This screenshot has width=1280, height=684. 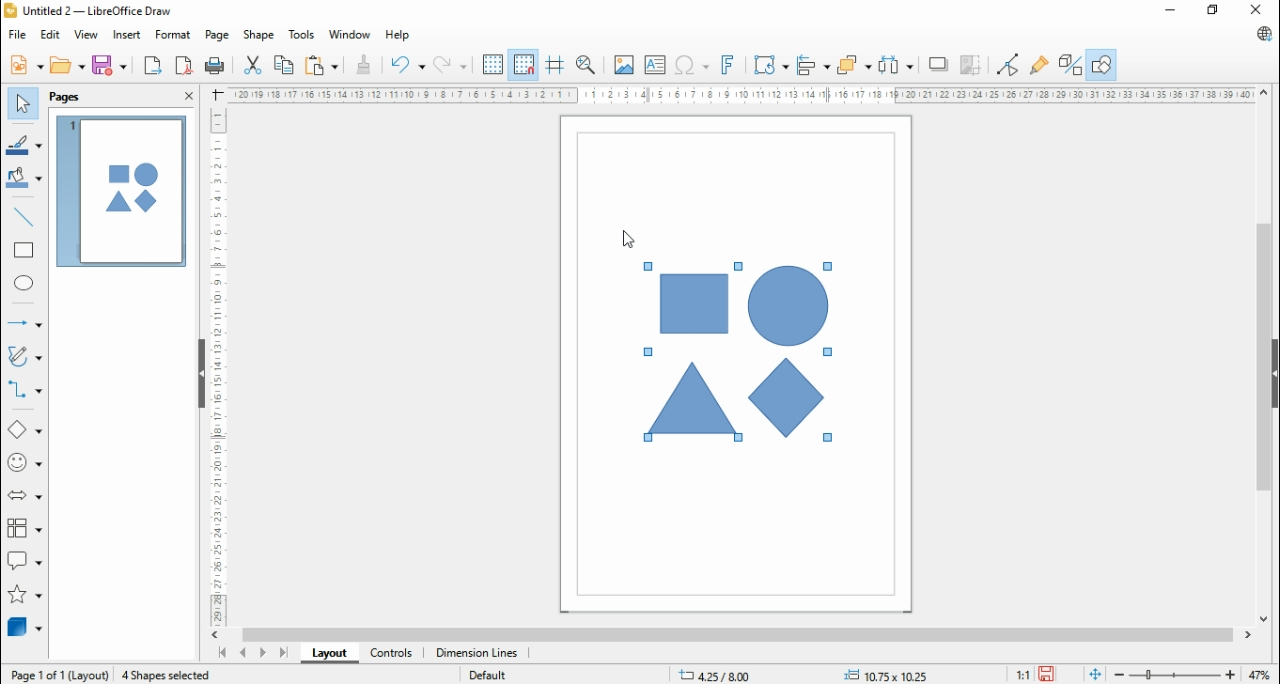 What do you see at coordinates (27, 354) in the screenshot?
I see `curves and polygons` at bounding box center [27, 354].